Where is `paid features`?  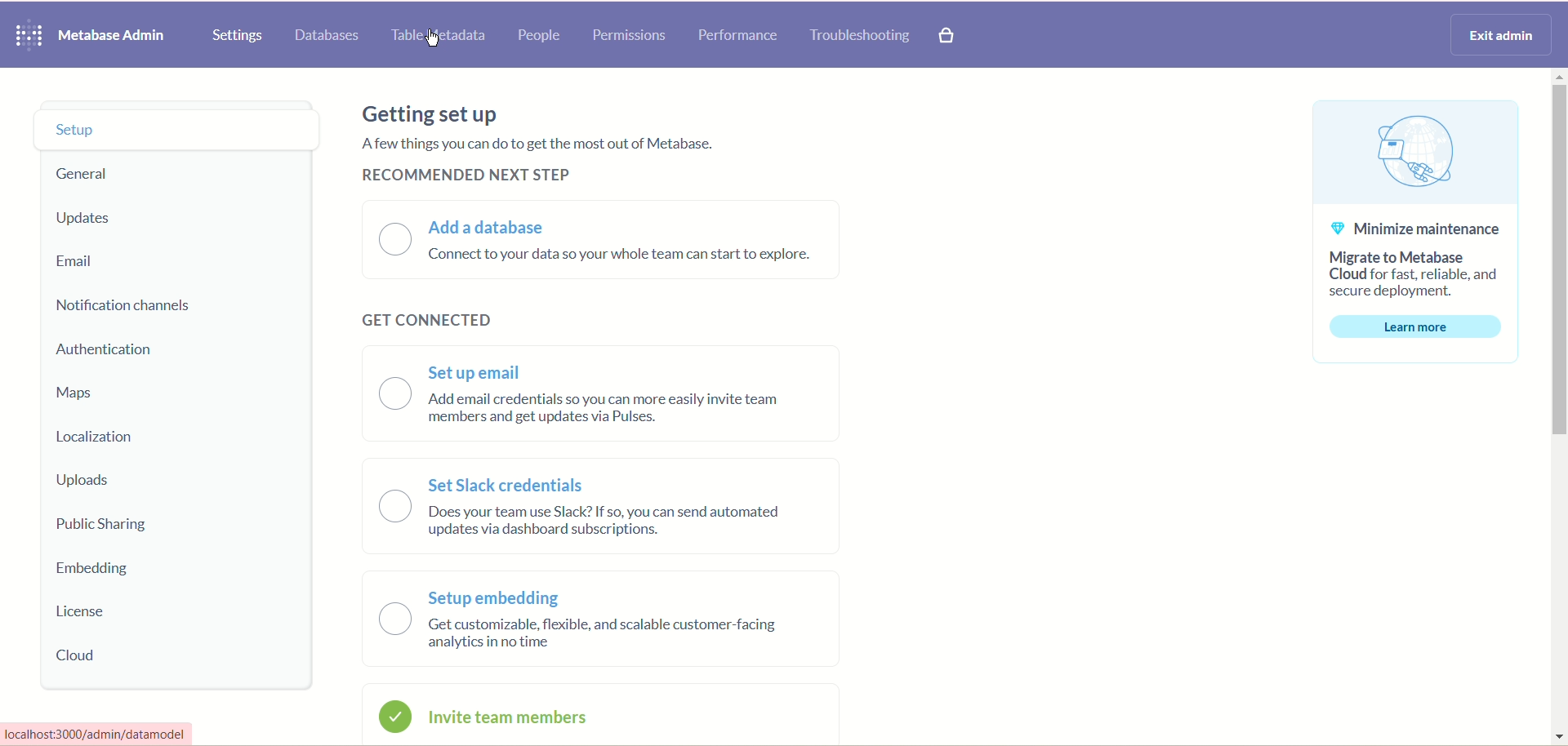
paid features is located at coordinates (948, 37).